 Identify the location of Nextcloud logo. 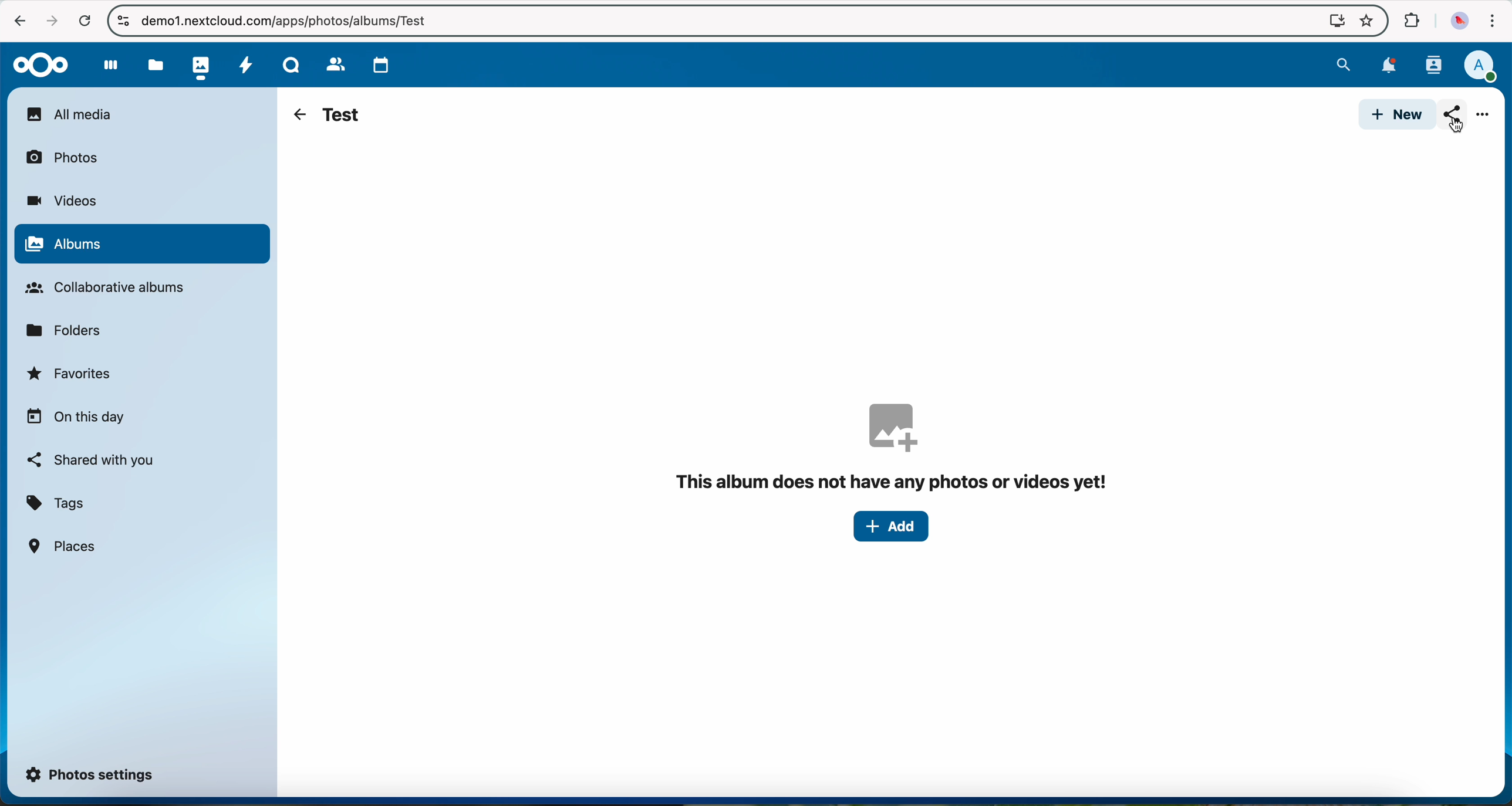
(36, 64).